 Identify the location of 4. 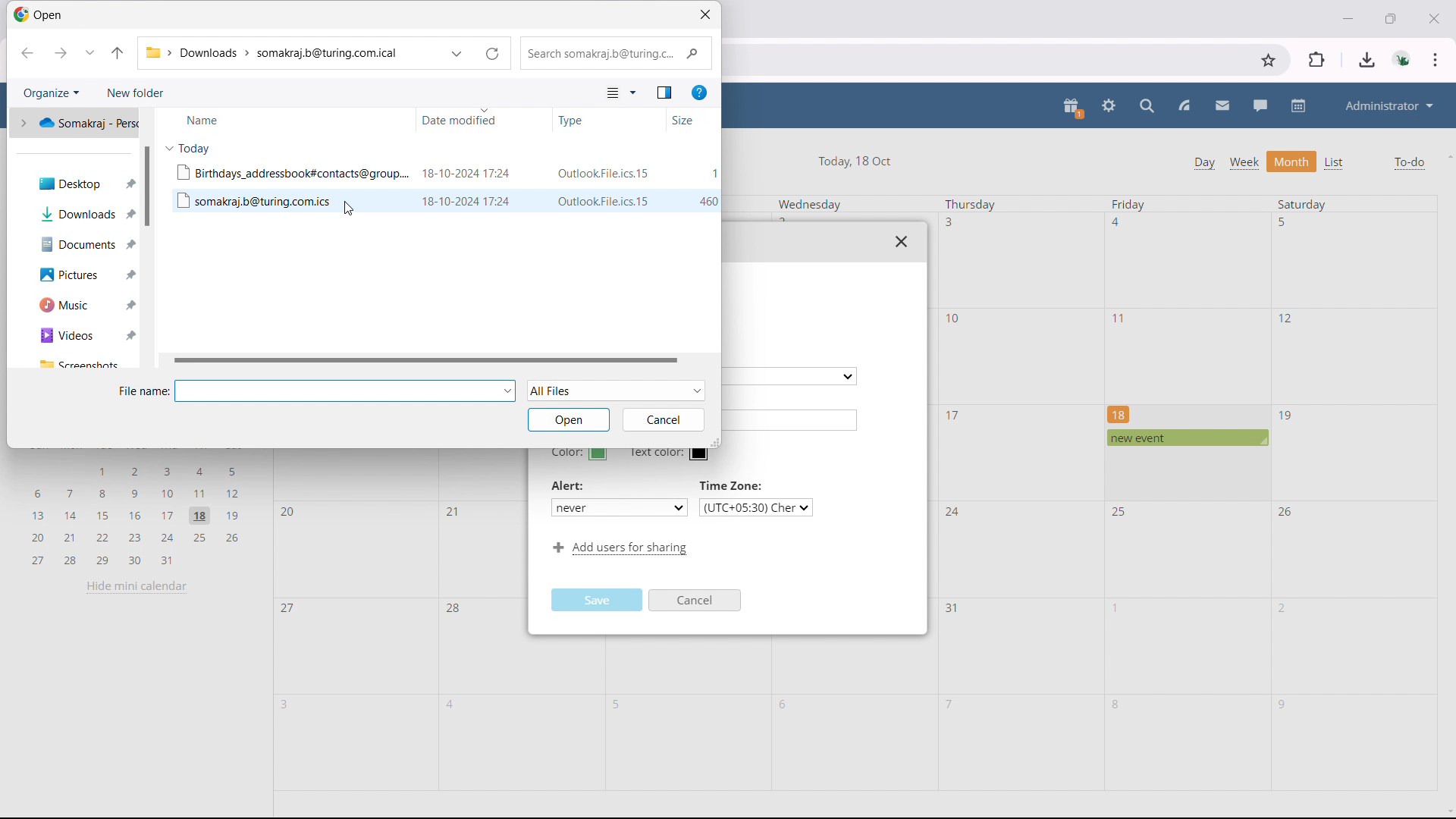
(453, 704).